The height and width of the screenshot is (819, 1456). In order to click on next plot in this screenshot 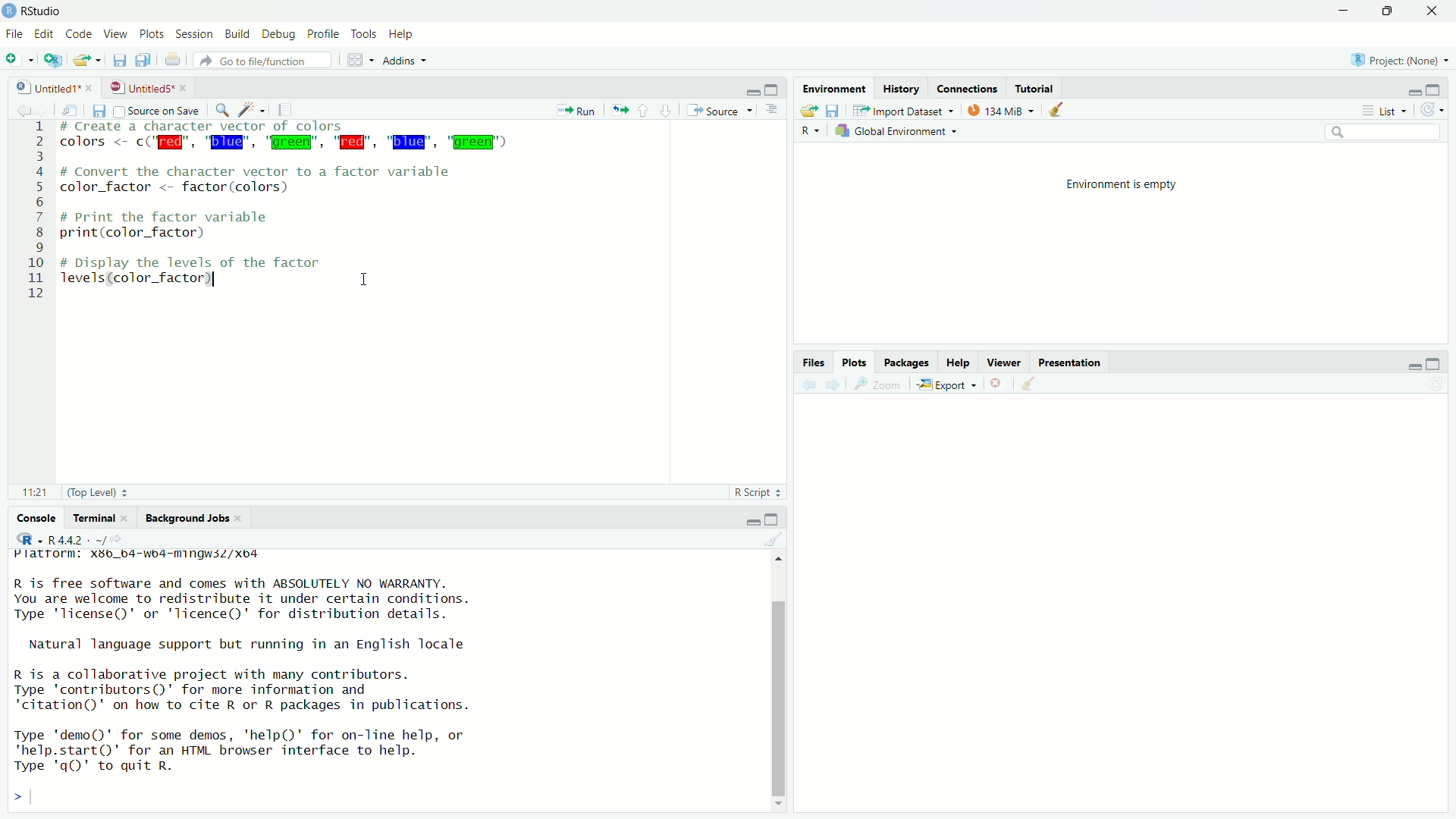, I will do `click(831, 384)`.